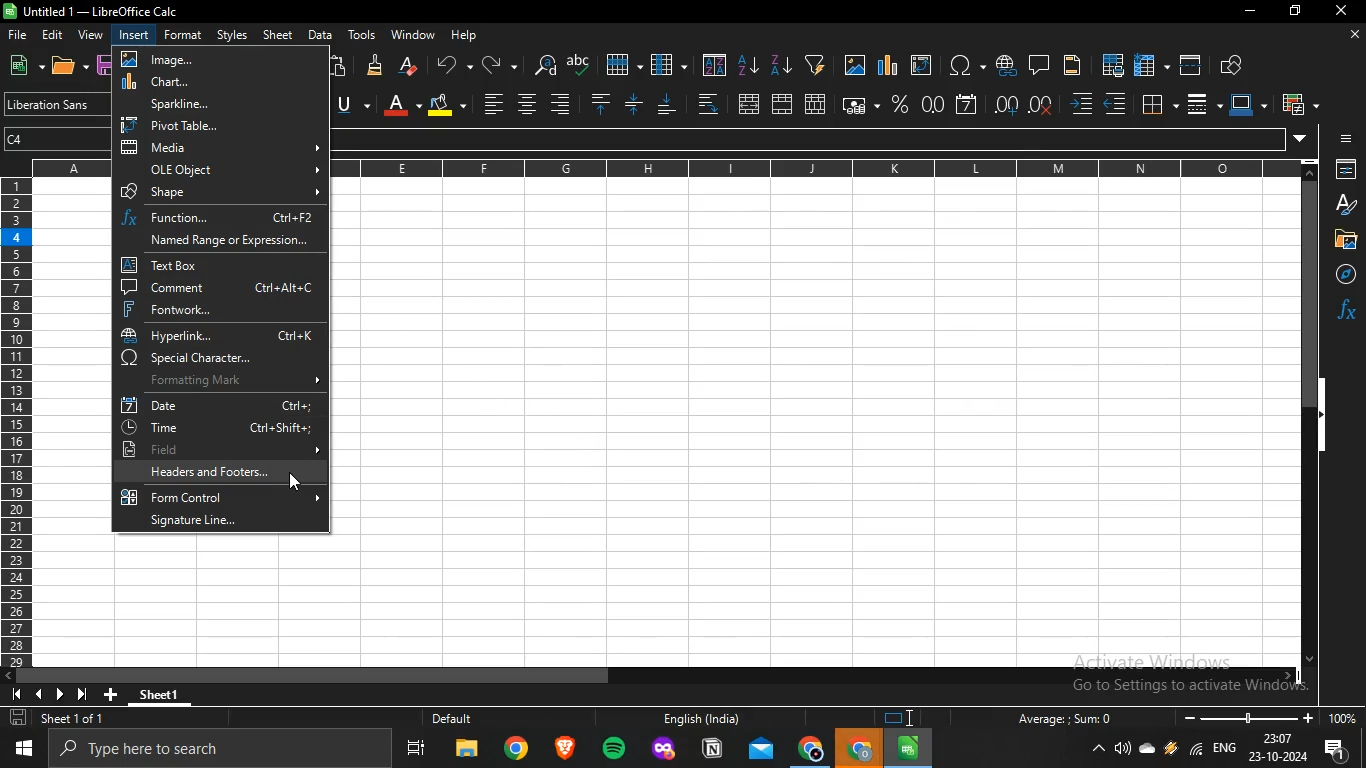 The height and width of the screenshot is (768, 1366). I want to click on function, so click(220, 216).